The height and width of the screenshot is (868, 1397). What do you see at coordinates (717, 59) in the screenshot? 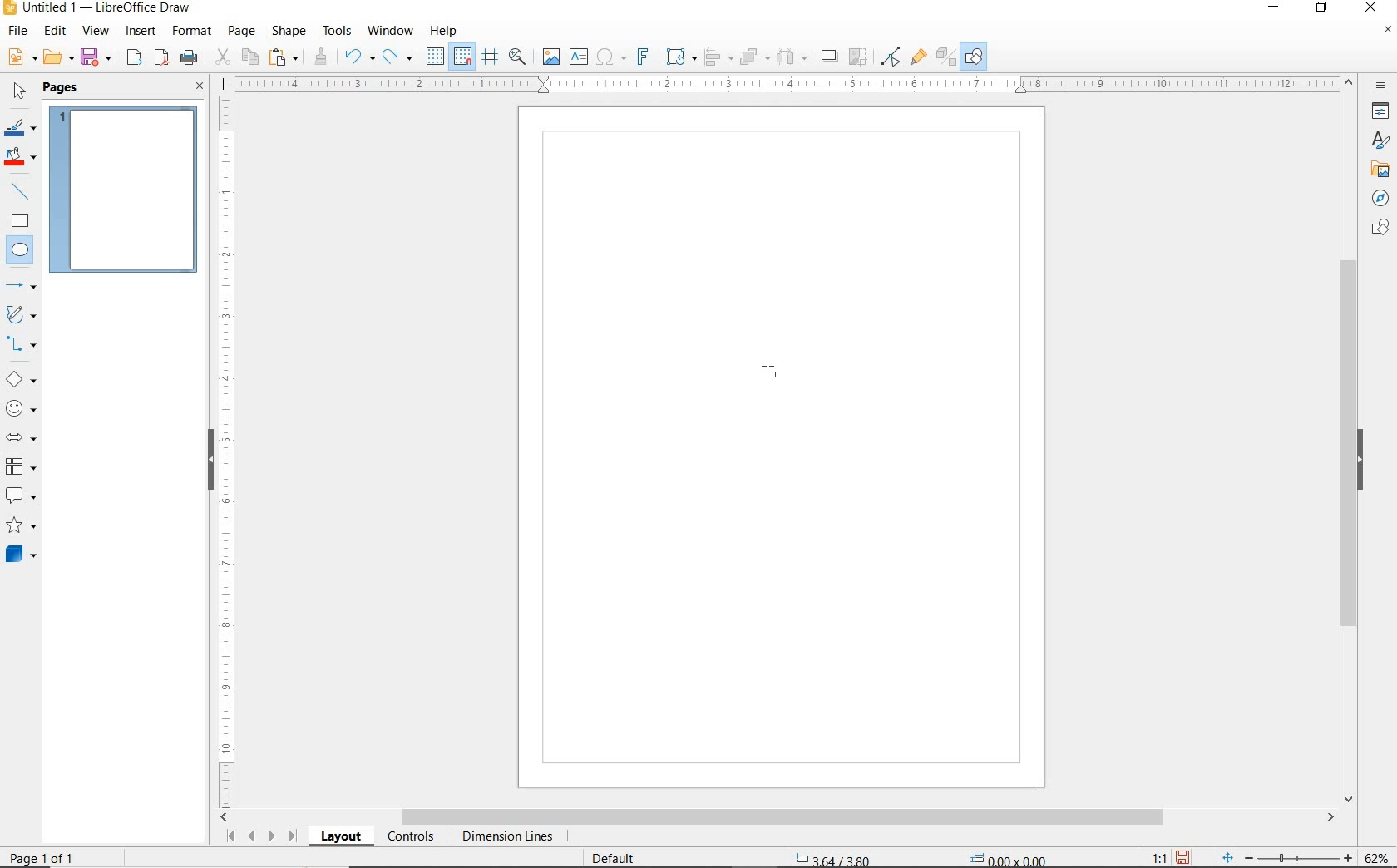
I see `ALIGN OBJECTS` at bounding box center [717, 59].